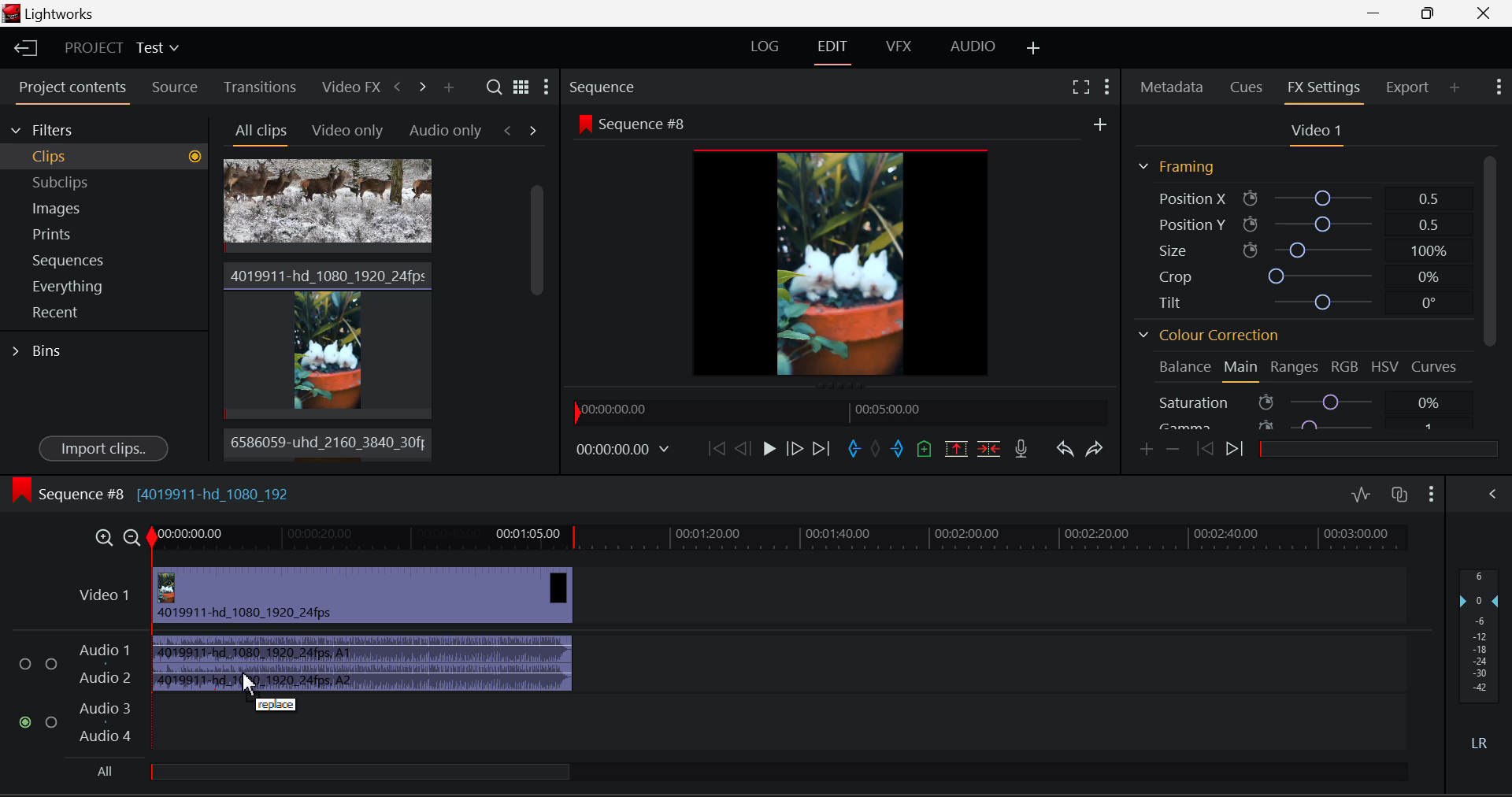 The width and height of the screenshot is (1512, 797). Describe the element at coordinates (1203, 449) in the screenshot. I see `Previous keyframe` at that location.